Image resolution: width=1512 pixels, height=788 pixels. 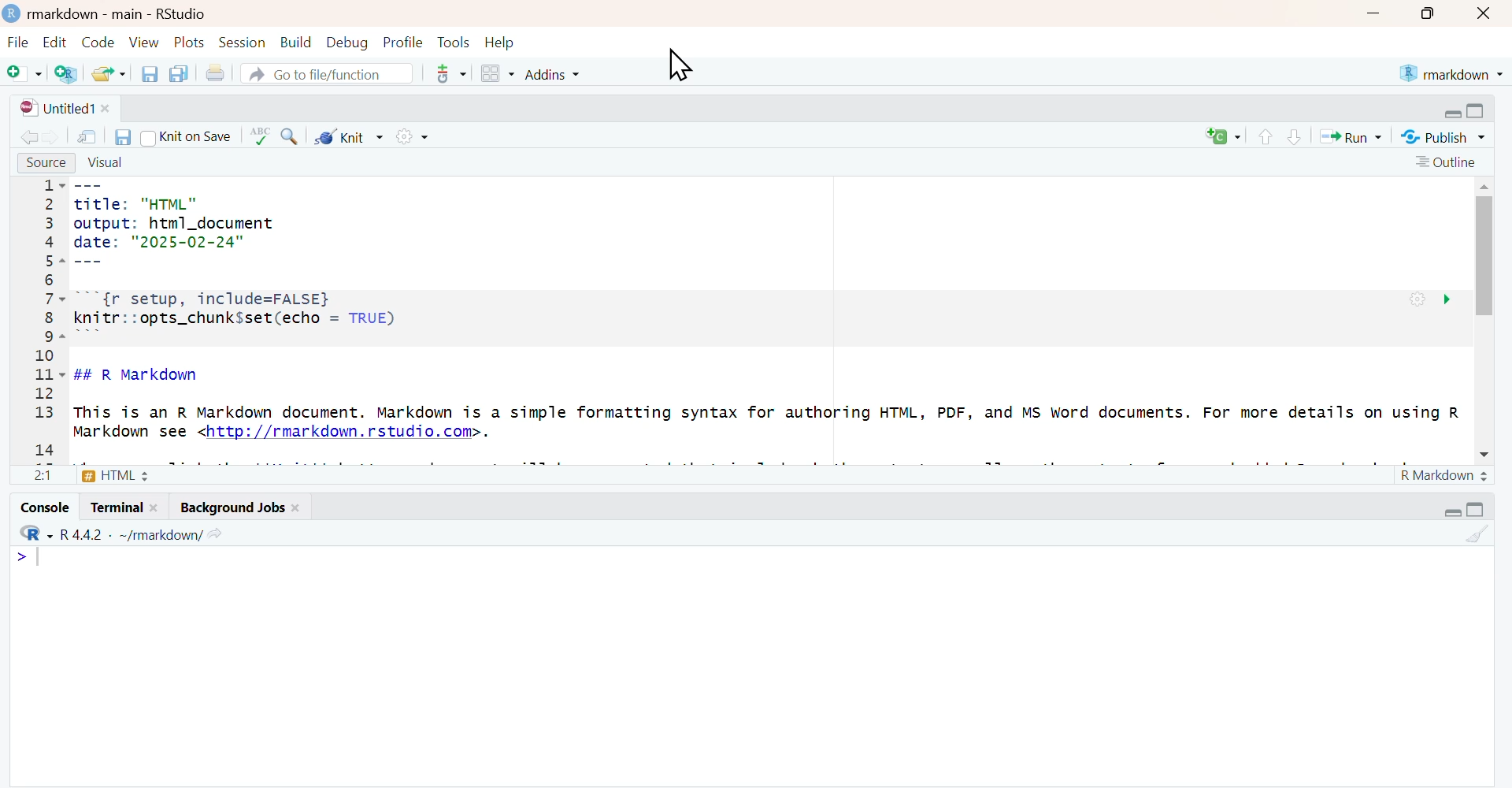 I want to click on publish, so click(x=1443, y=136).